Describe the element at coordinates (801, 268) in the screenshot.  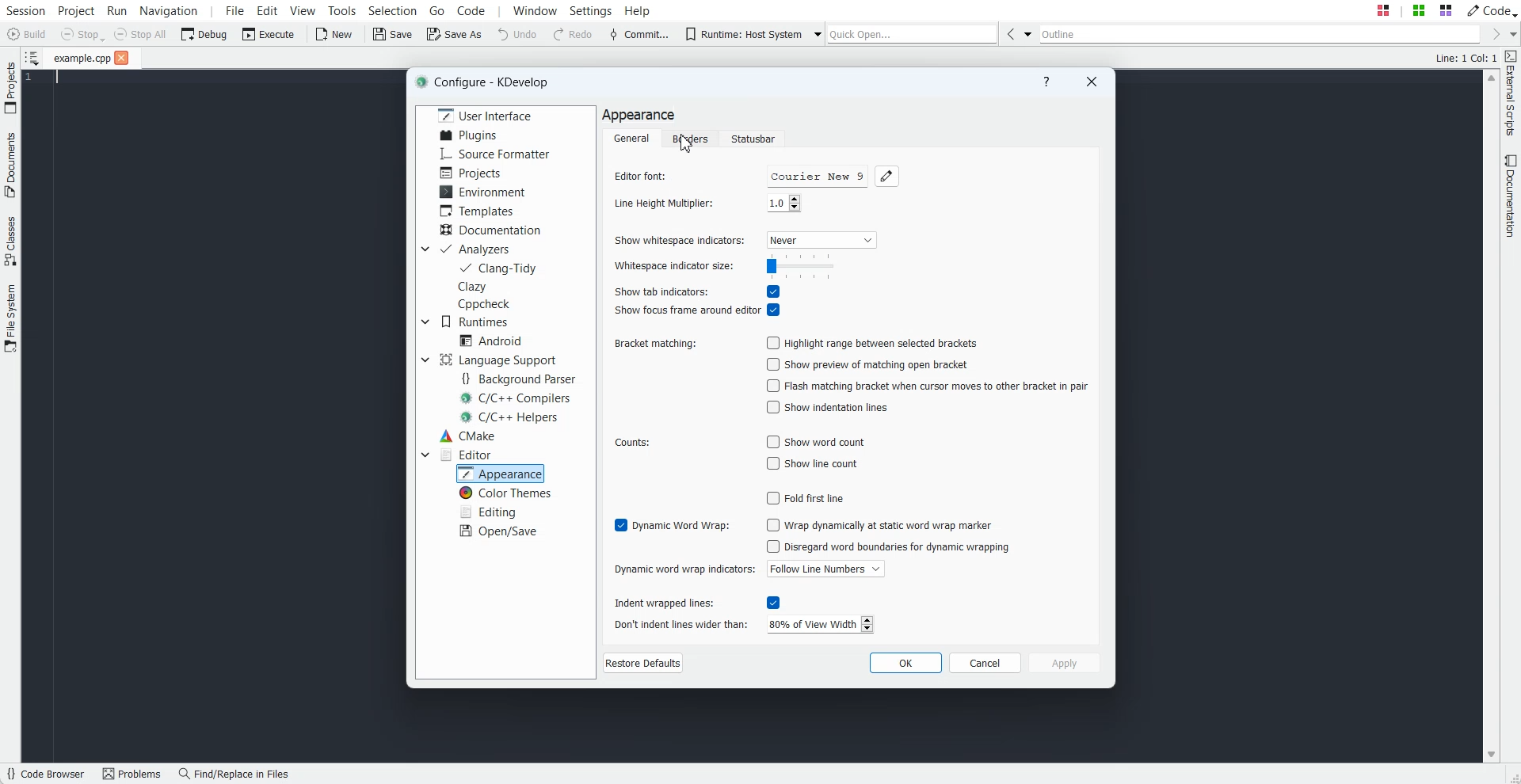
I see `range slider` at that location.